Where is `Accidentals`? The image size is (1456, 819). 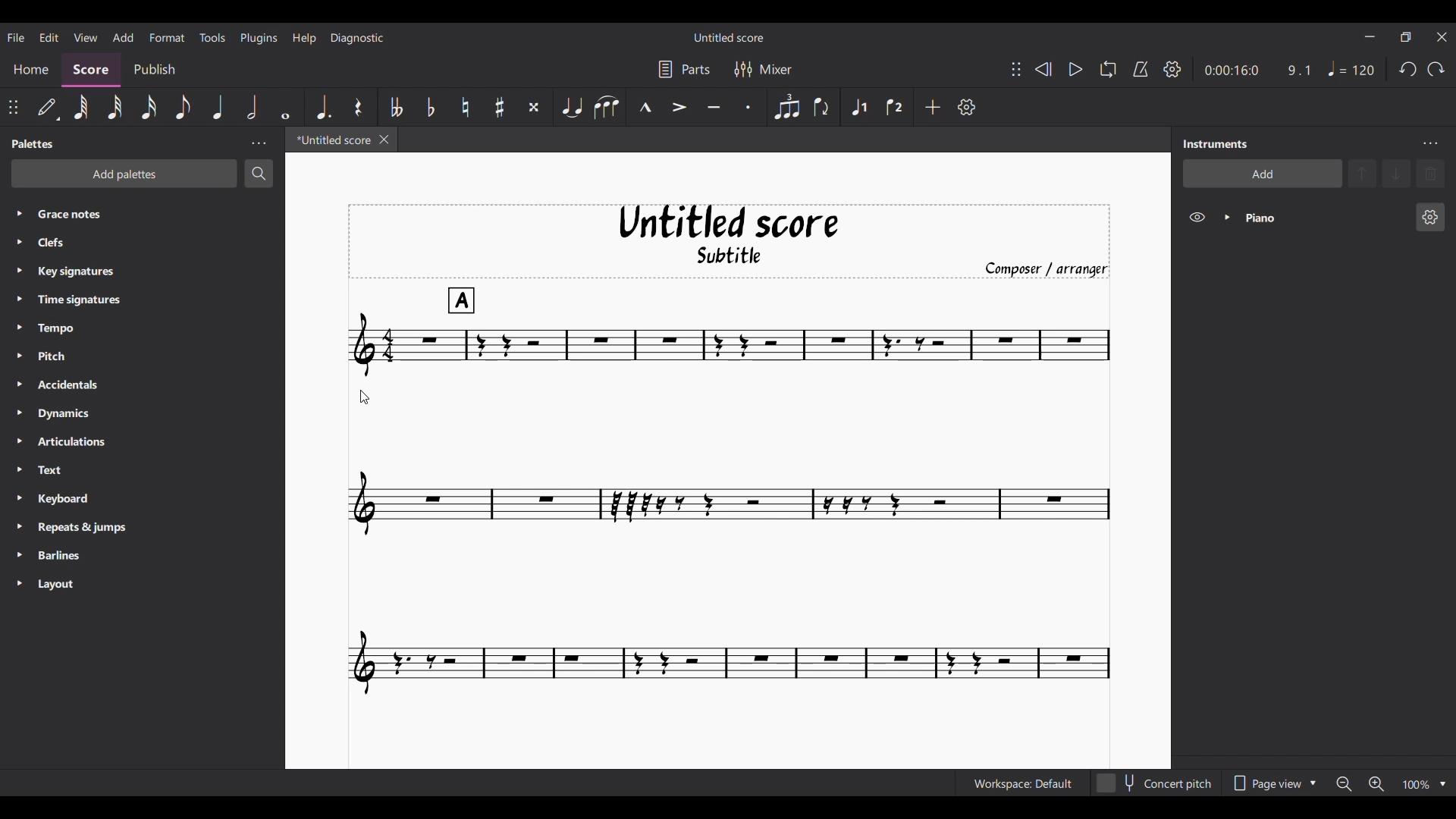
Accidentals is located at coordinates (90, 386).